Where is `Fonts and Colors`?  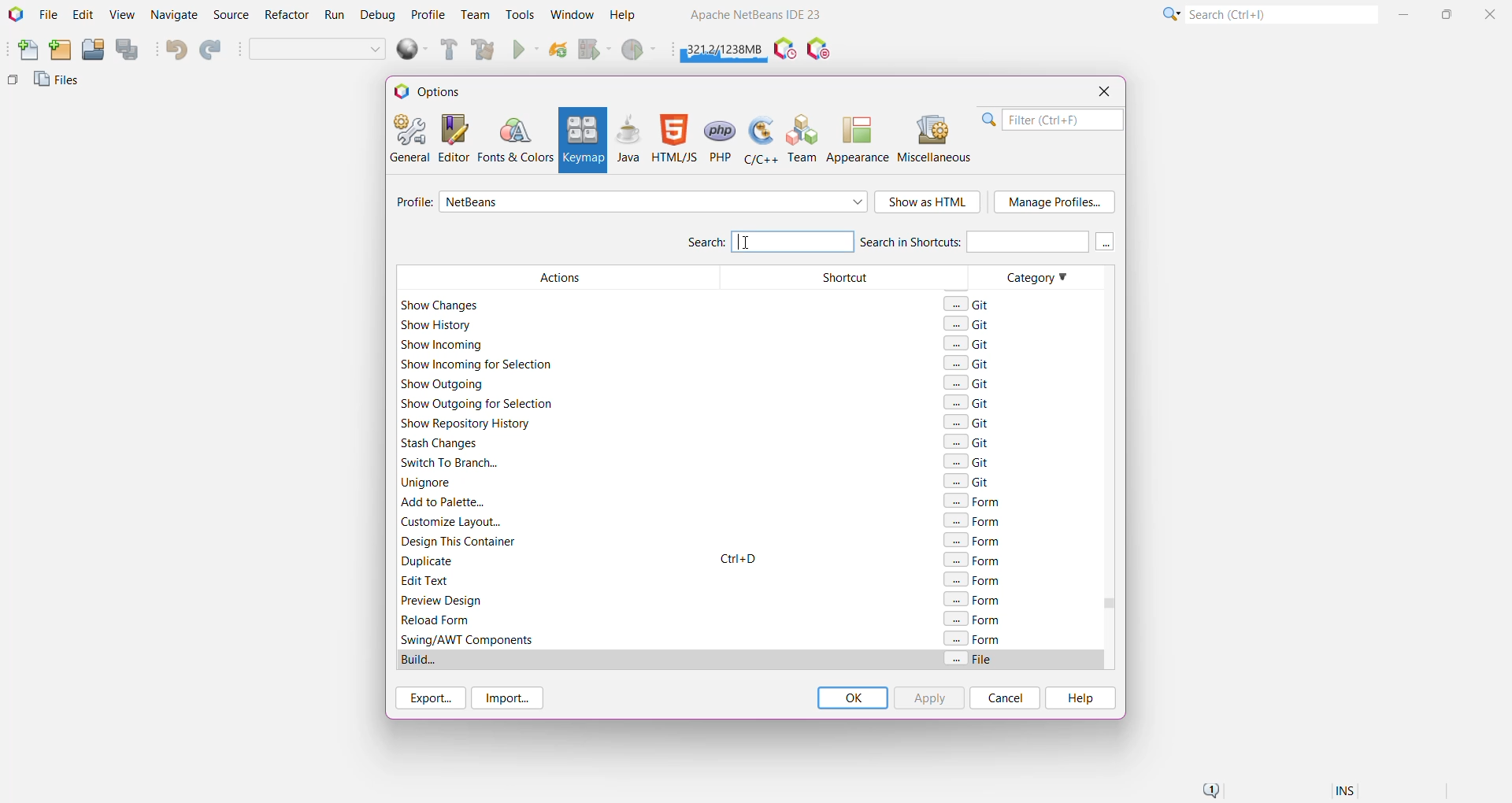
Fonts and Colors is located at coordinates (515, 139).